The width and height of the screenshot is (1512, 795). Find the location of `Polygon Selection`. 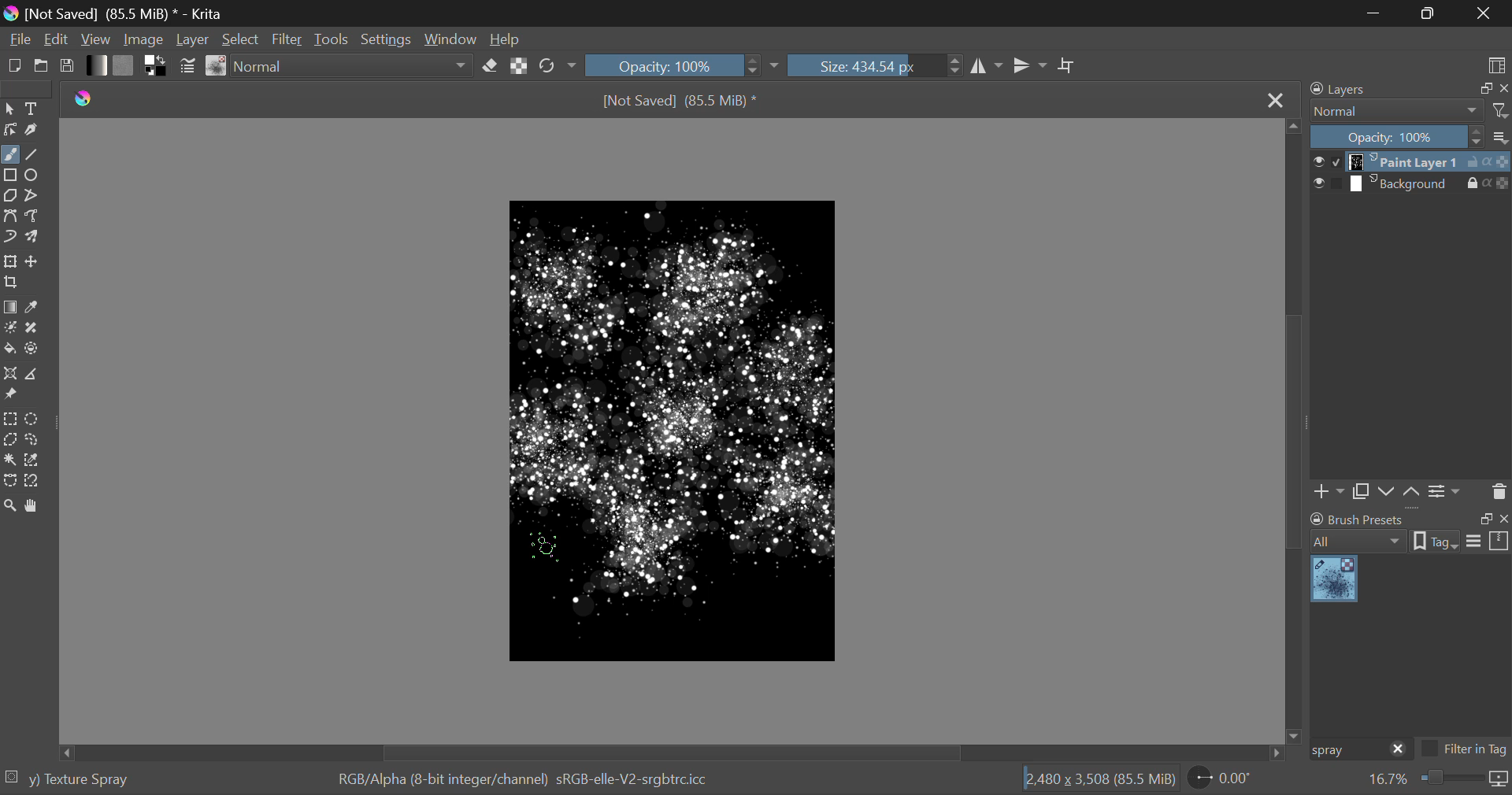

Polygon Selection is located at coordinates (10, 438).